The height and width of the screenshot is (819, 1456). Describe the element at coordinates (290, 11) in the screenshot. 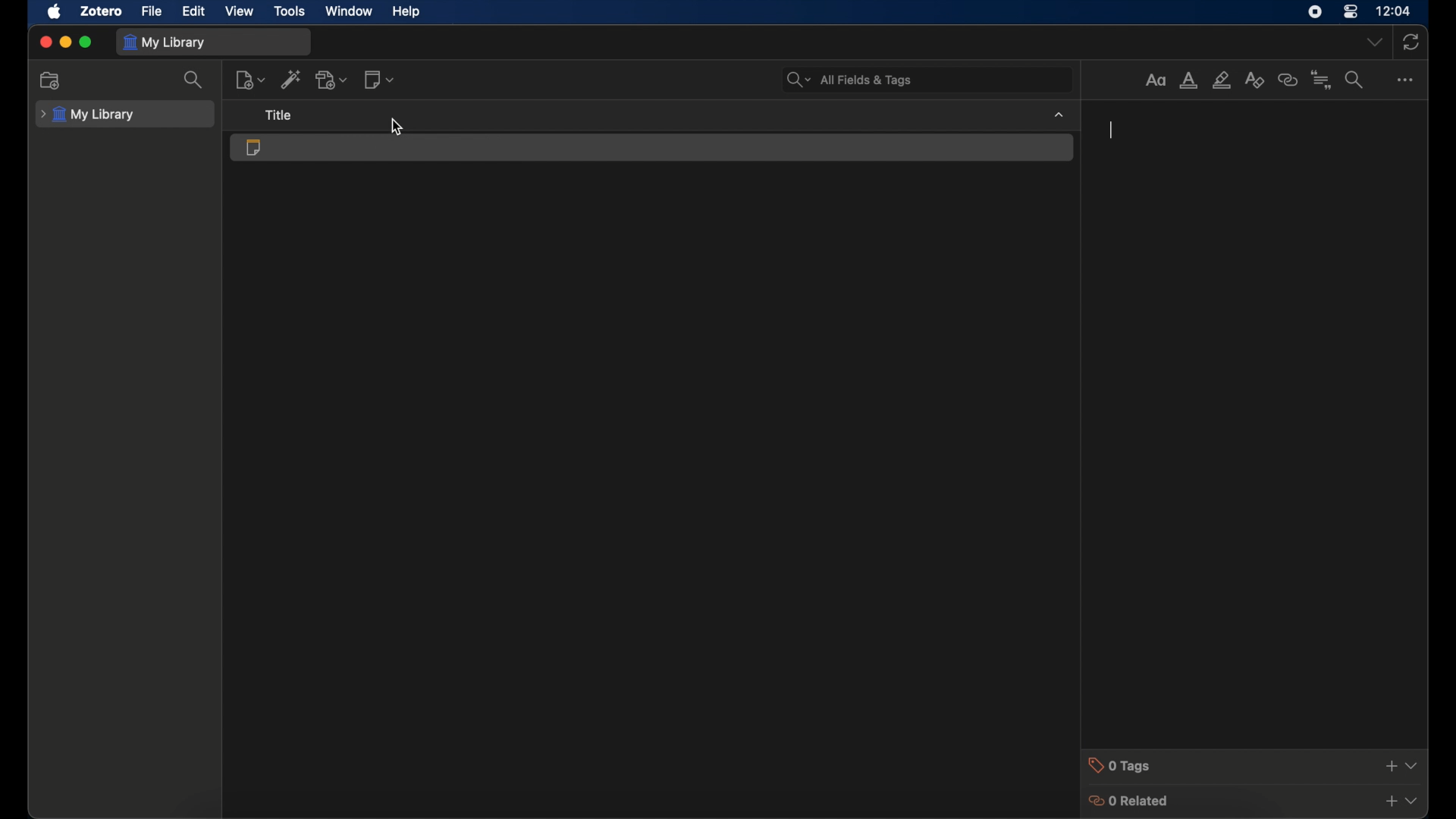

I see `tools` at that location.